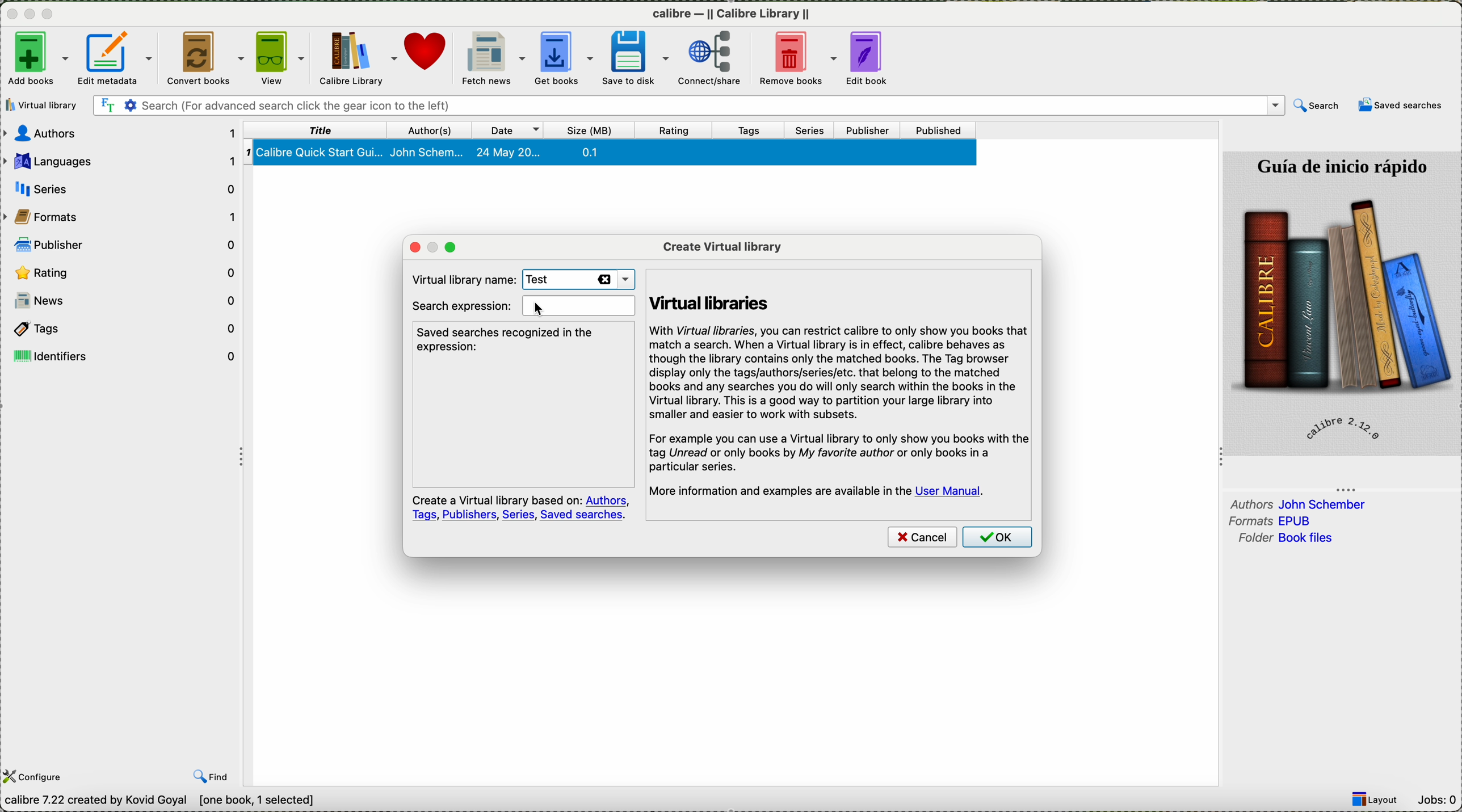  I want to click on create virtual library, so click(722, 245).